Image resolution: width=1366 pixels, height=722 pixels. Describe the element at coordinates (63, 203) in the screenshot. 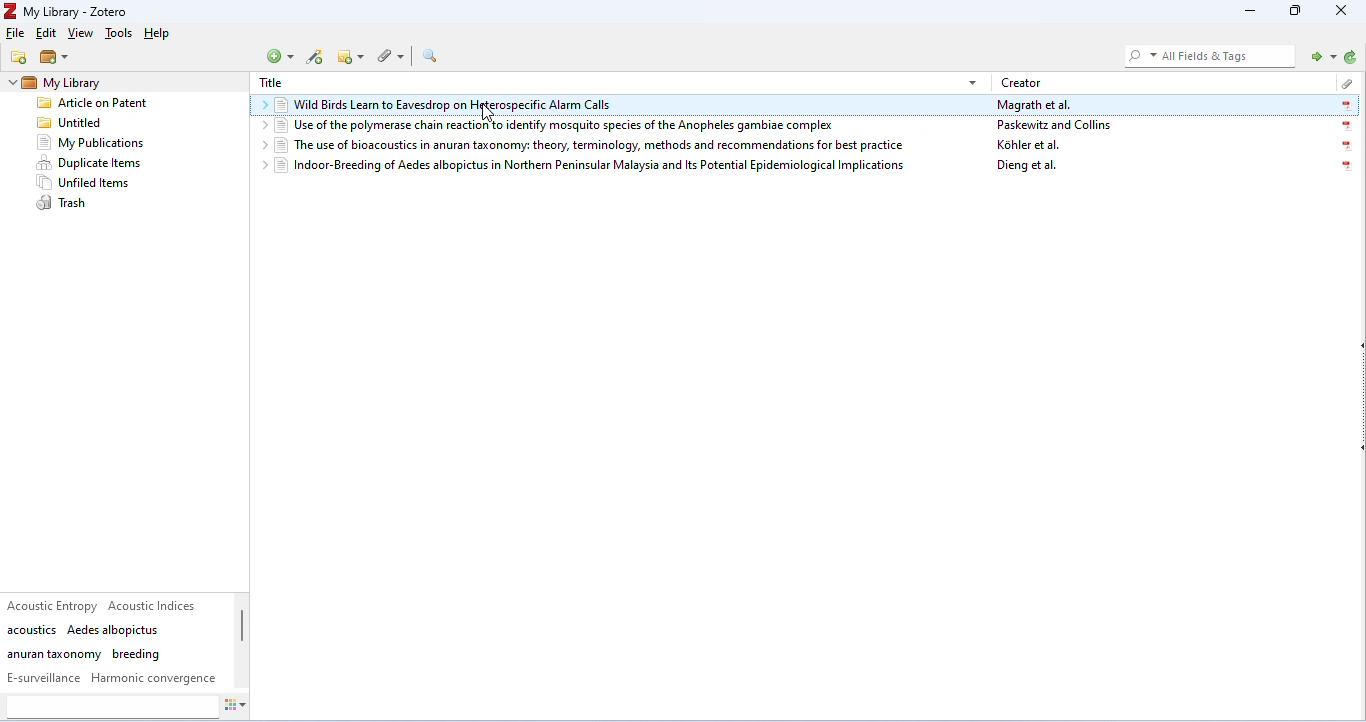

I see `trash` at that location.